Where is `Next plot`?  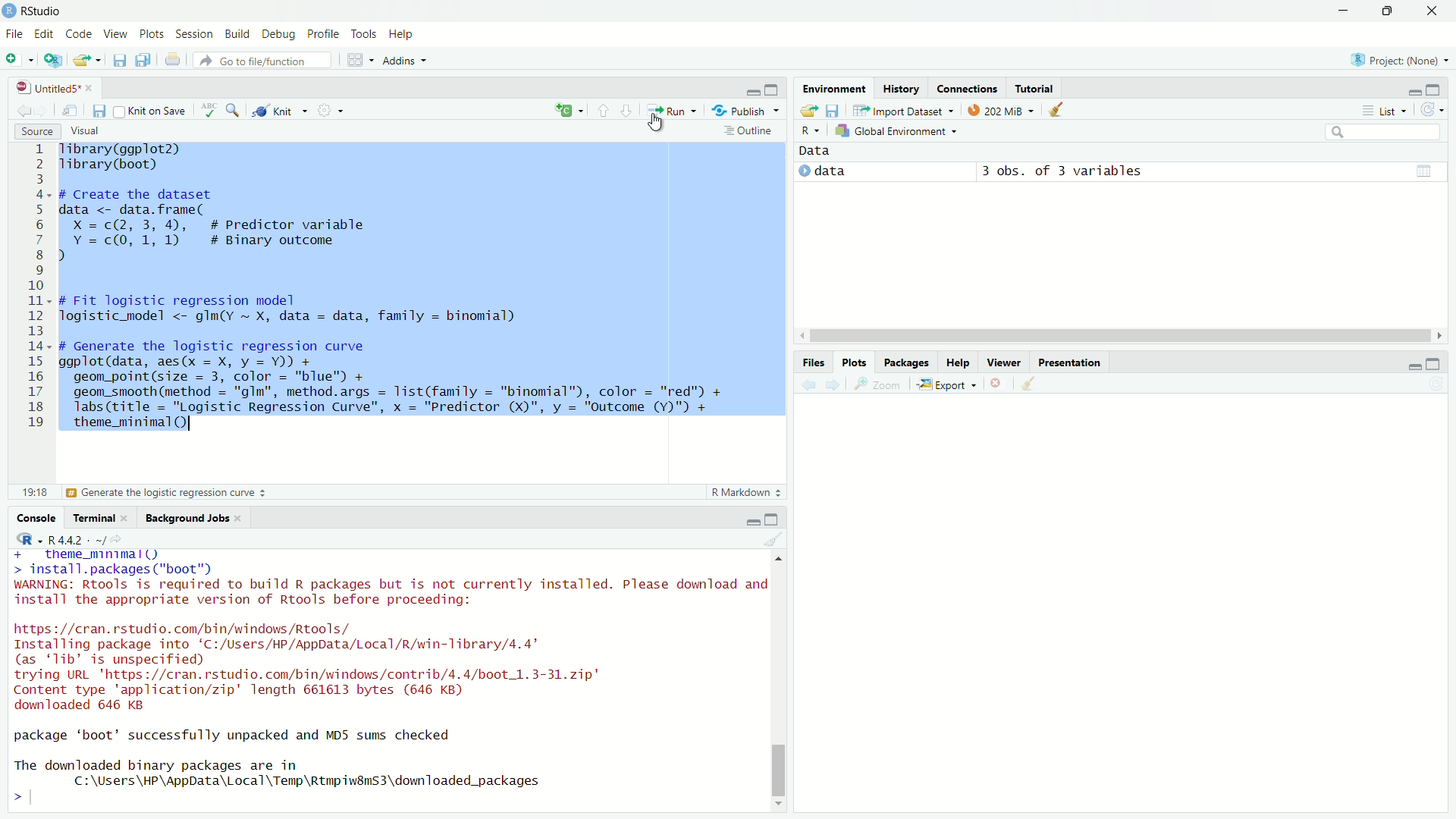
Next plot is located at coordinates (833, 384).